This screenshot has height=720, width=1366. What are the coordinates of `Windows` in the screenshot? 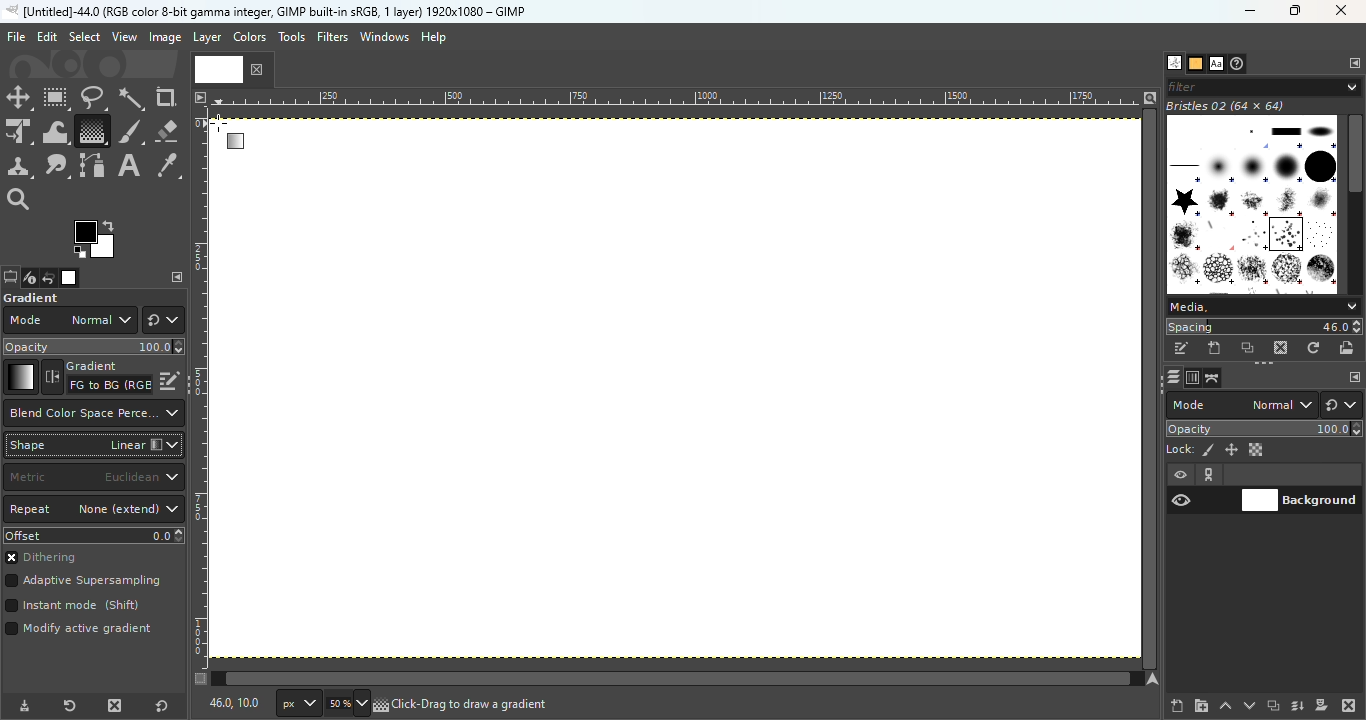 It's located at (384, 37).